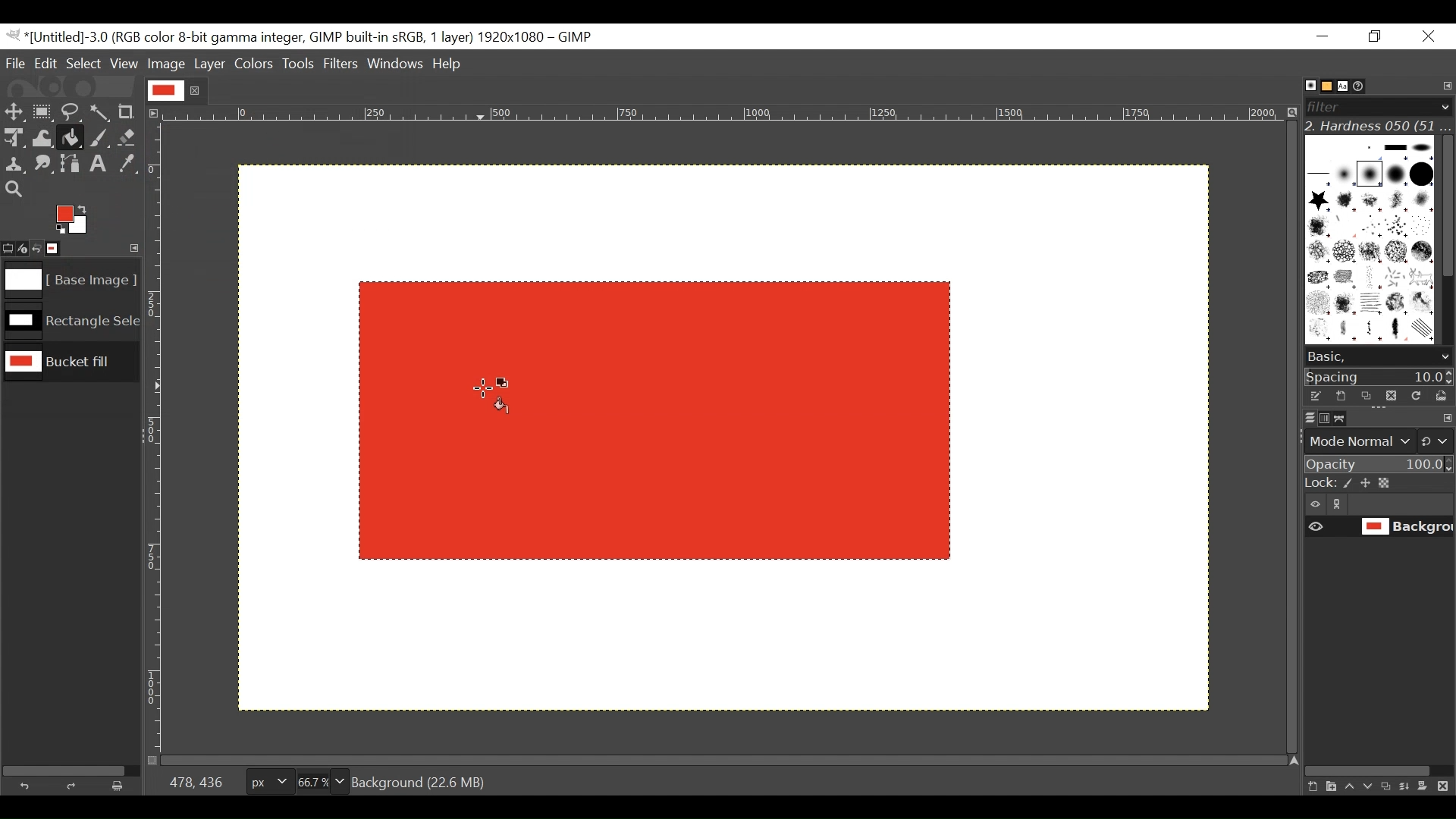  Describe the element at coordinates (657, 419) in the screenshot. I see `Image` at that location.